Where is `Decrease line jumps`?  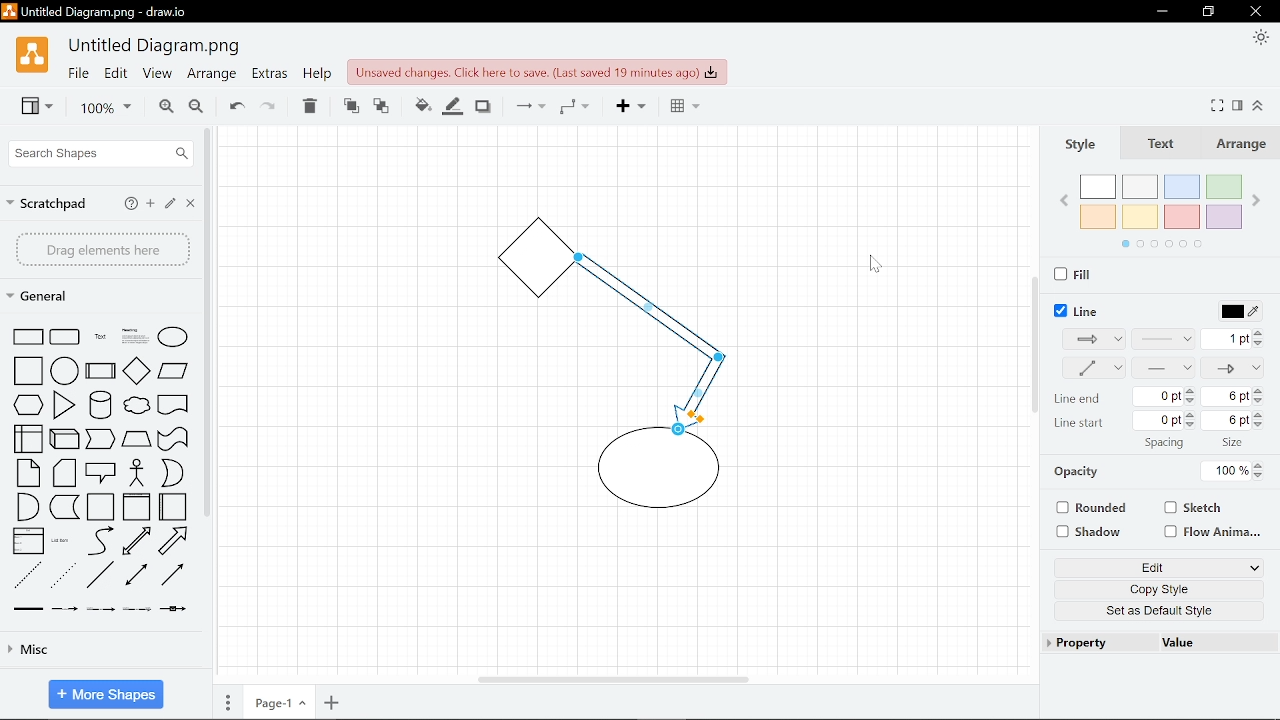
Decrease line jumps is located at coordinates (1260, 415).